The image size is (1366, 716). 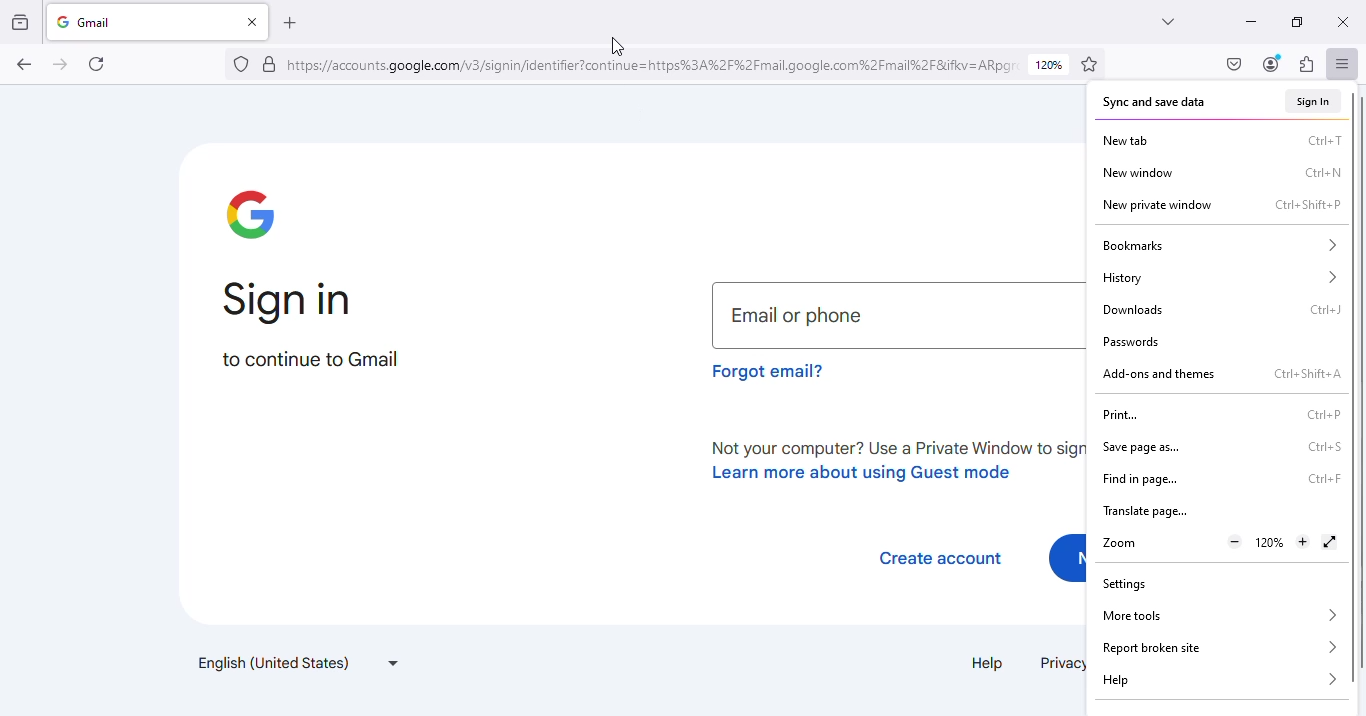 I want to click on 120%, so click(x=1049, y=64).